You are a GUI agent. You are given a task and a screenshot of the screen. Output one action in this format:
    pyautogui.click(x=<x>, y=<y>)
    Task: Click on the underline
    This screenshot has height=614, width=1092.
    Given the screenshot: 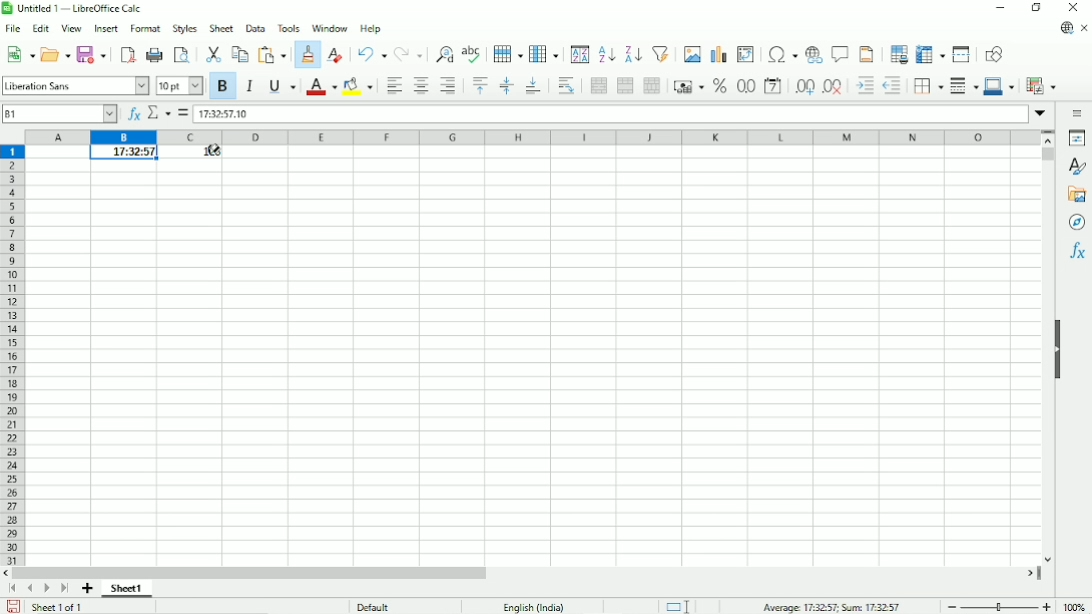 What is the action you would take?
    pyautogui.click(x=281, y=86)
    